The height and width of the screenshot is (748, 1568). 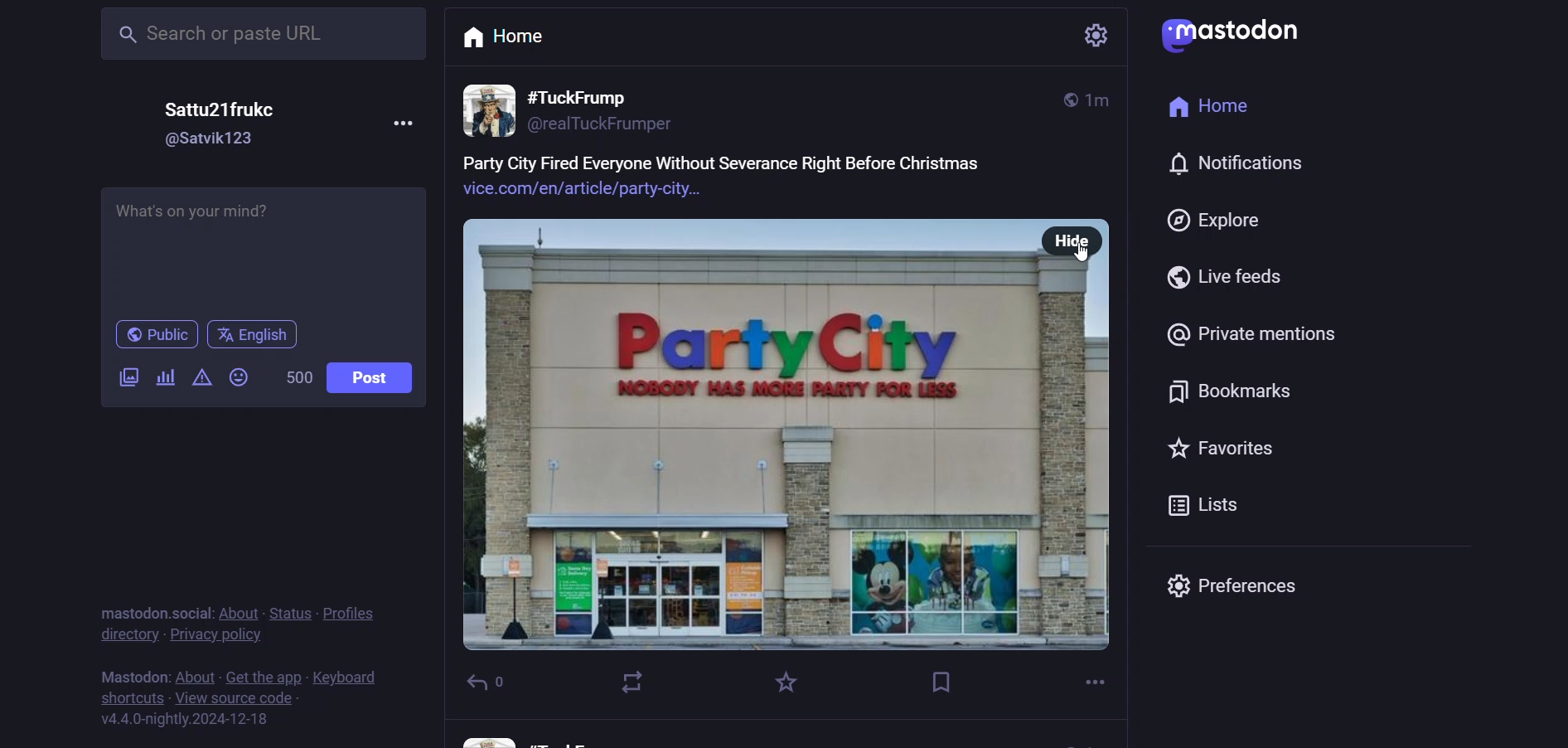 I want to click on Version, so click(x=199, y=723).